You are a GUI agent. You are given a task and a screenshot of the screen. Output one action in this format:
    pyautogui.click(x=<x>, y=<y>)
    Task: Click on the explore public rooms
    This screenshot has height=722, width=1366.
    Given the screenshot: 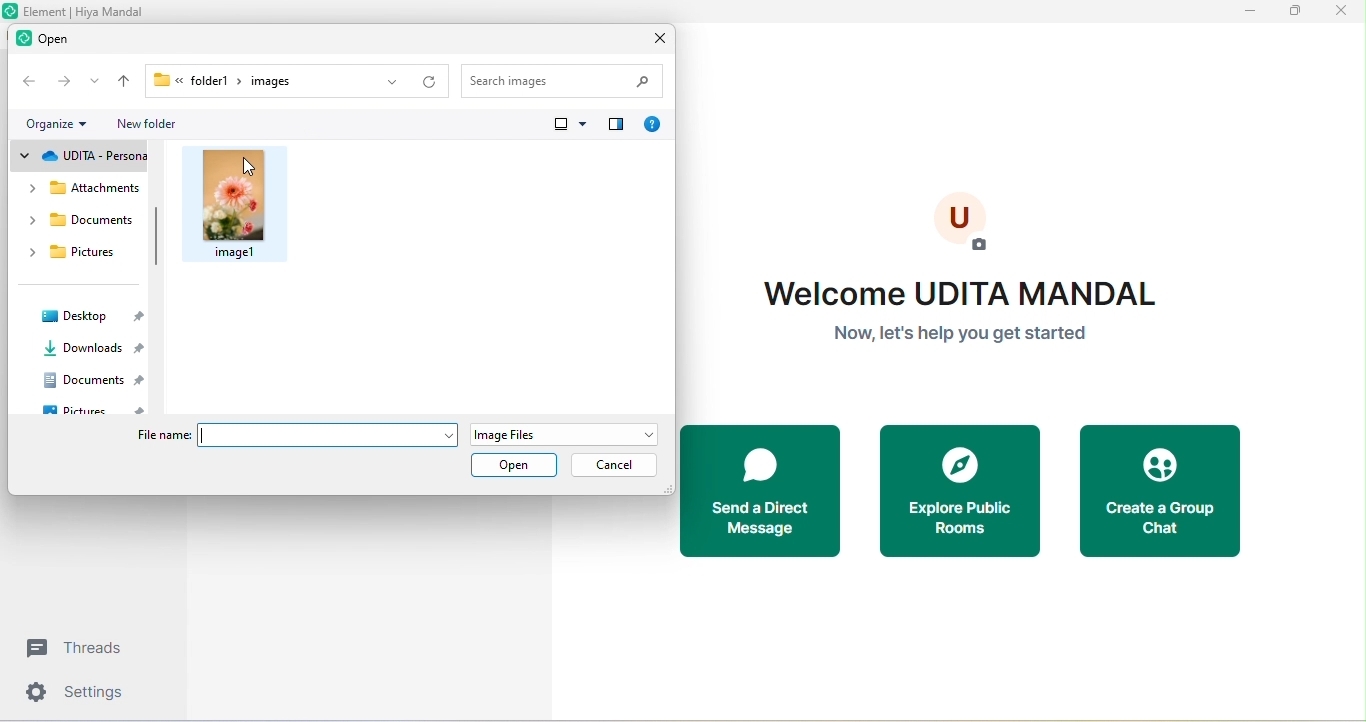 What is the action you would take?
    pyautogui.click(x=960, y=492)
    